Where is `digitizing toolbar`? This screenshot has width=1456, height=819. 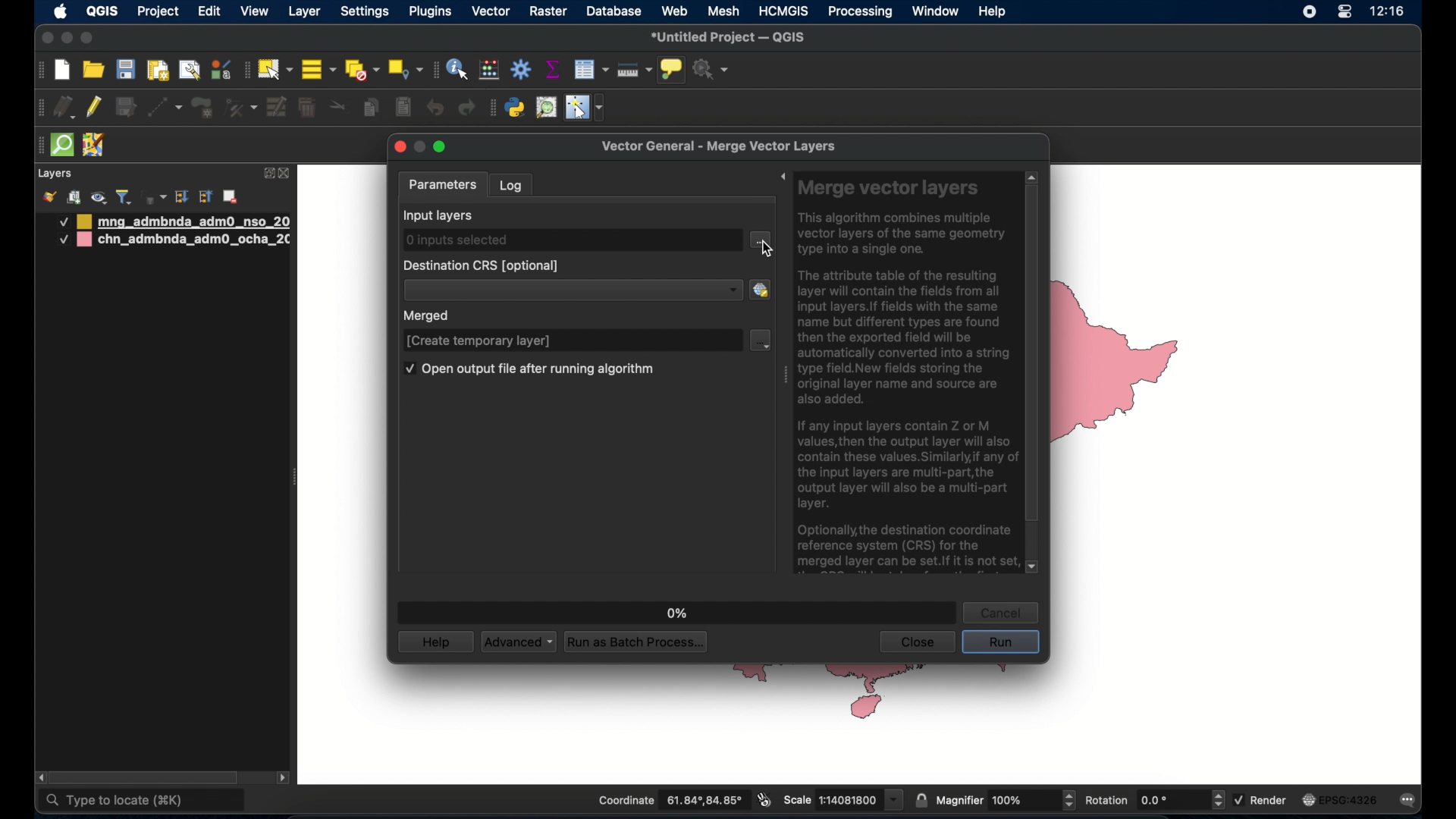 digitizing toolbar is located at coordinates (42, 110).